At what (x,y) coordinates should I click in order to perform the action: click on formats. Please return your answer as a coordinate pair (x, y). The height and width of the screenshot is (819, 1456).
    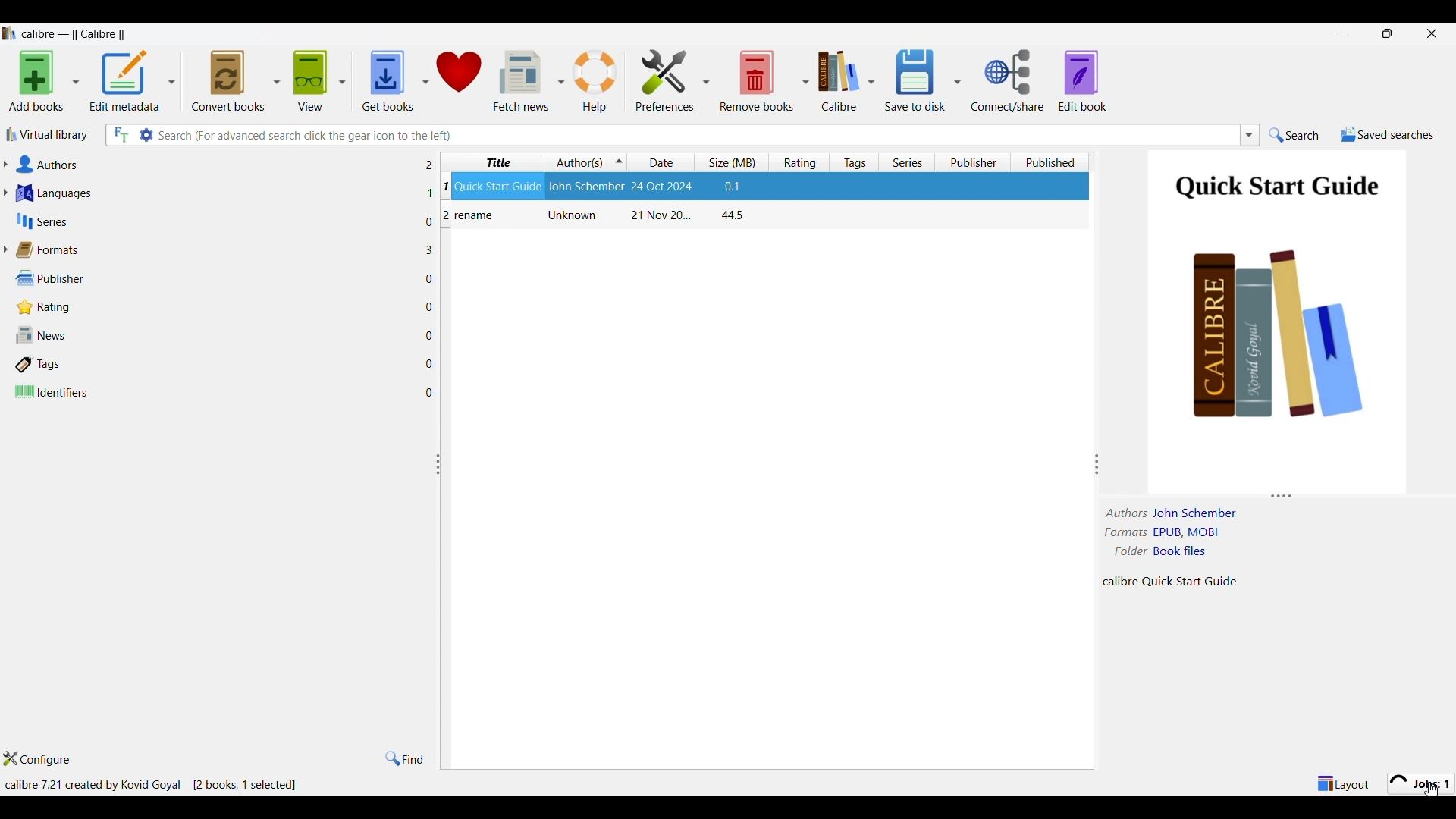
    Looking at the image, I should click on (1126, 532).